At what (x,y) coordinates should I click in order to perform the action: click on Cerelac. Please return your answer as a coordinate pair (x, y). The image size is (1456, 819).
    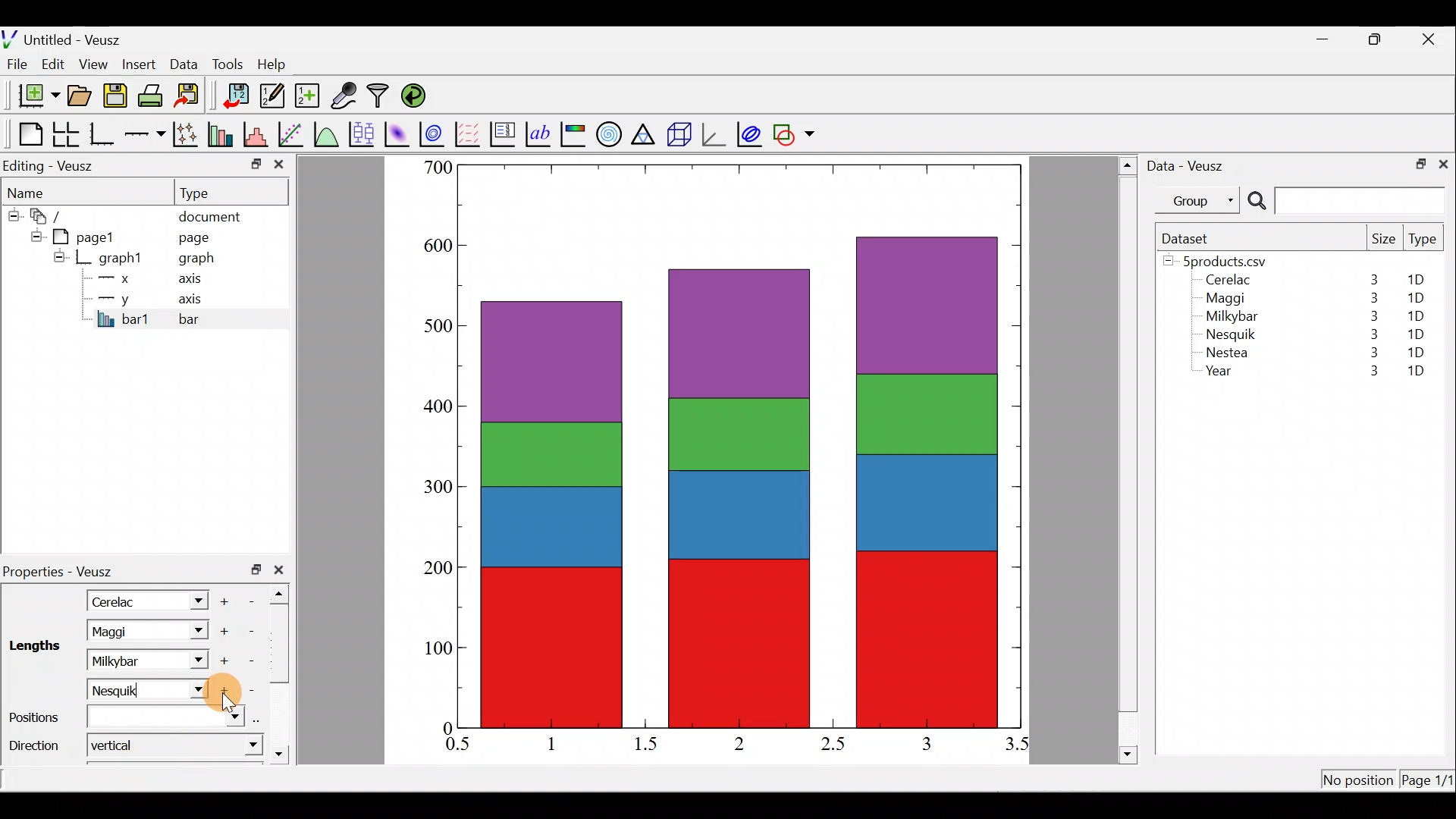
    Looking at the image, I should click on (118, 600).